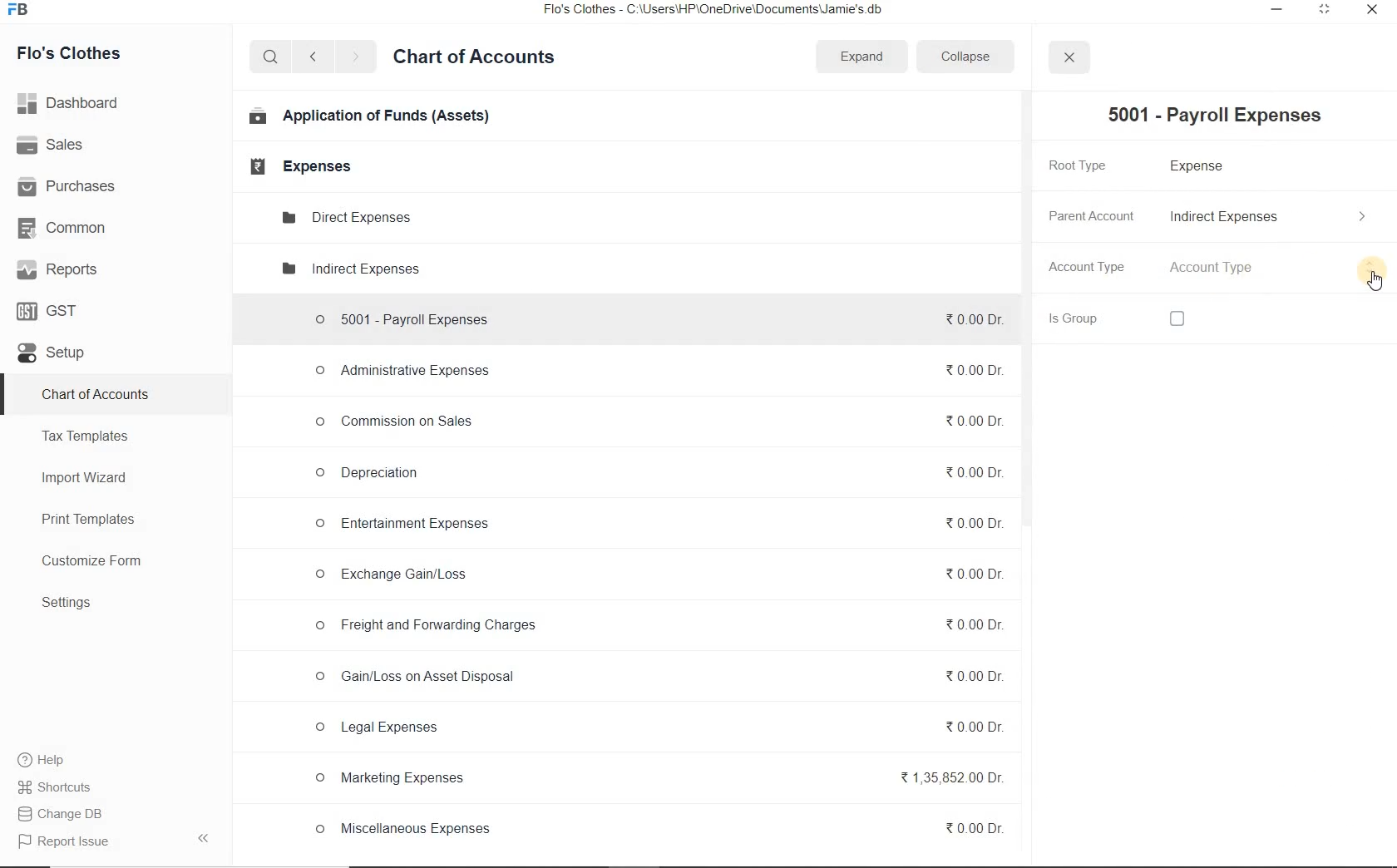 This screenshot has height=868, width=1397. Describe the element at coordinates (1024, 310) in the screenshot. I see `vertical scrollbar` at that location.